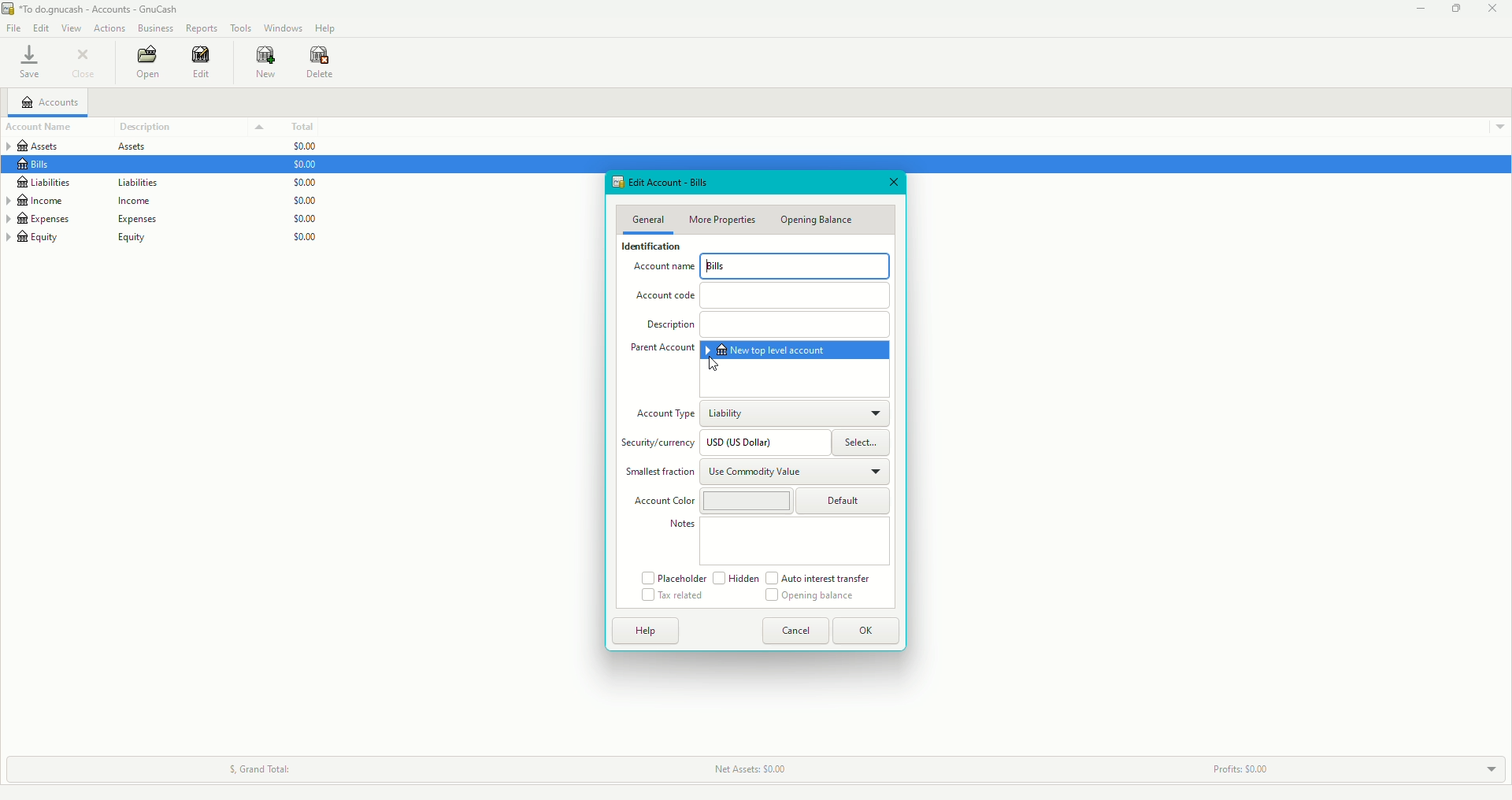 The image size is (1512, 800). I want to click on New top level account, so click(791, 350).